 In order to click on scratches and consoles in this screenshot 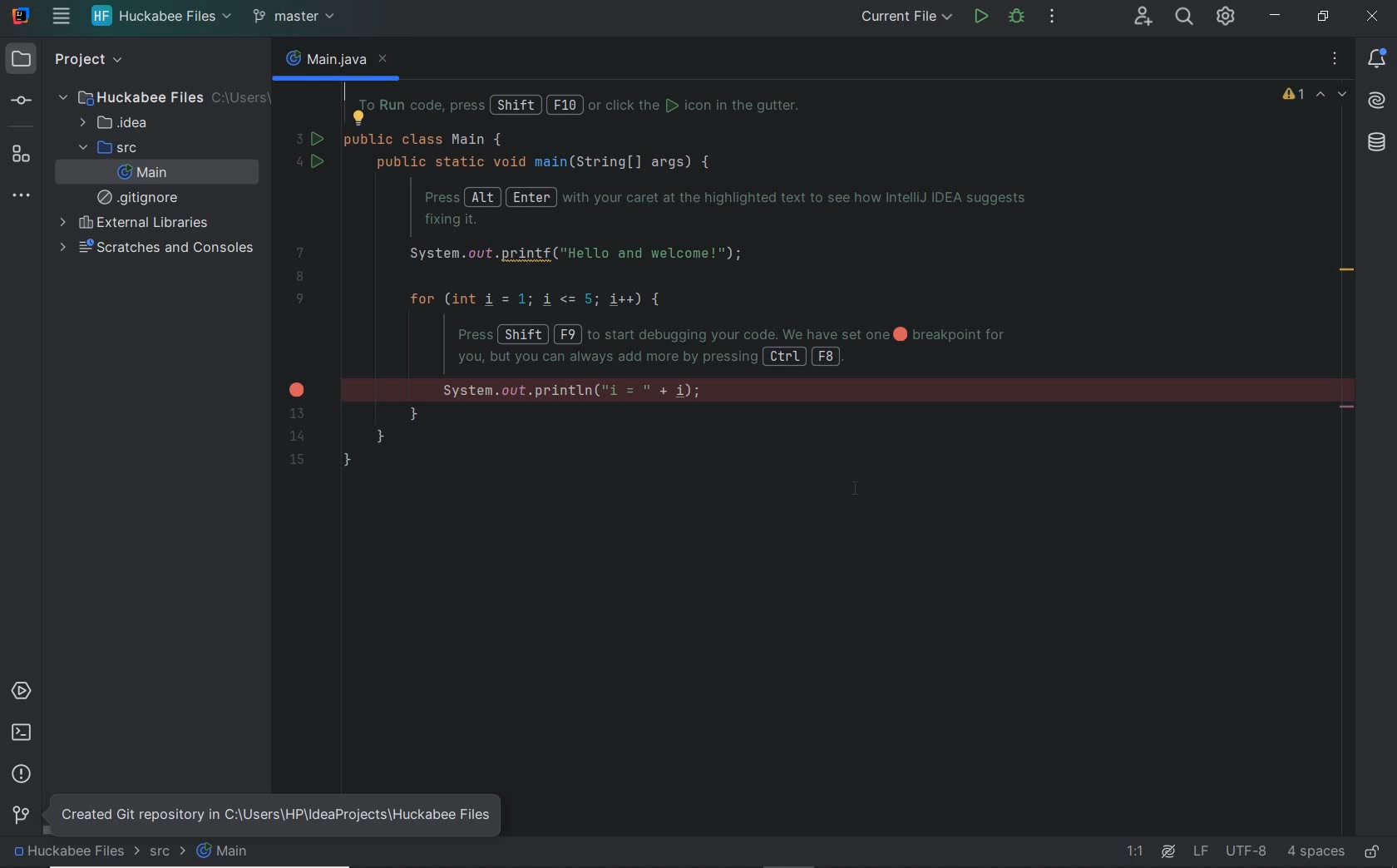, I will do `click(158, 248)`.